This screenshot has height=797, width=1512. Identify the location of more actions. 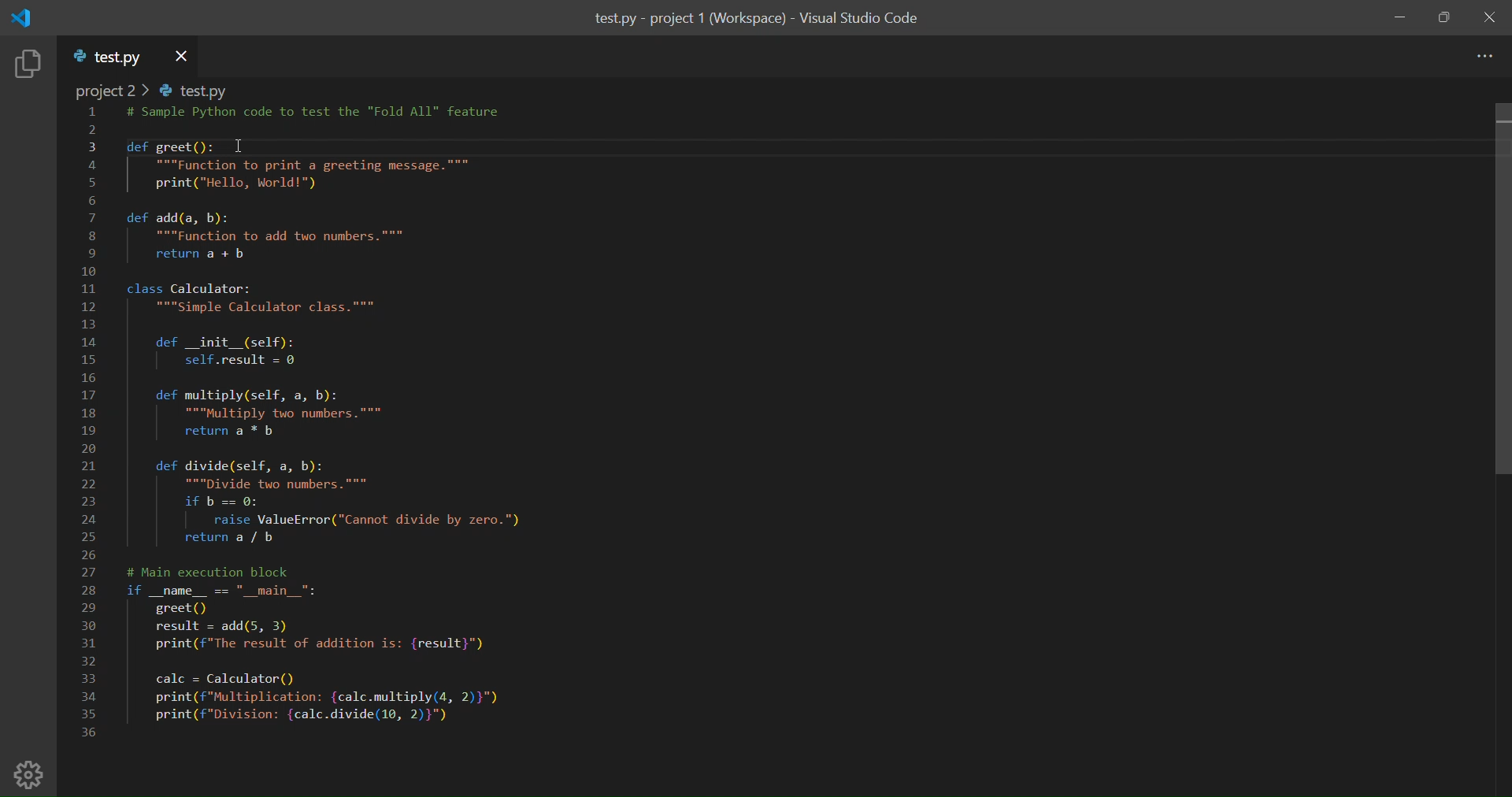
(1484, 57).